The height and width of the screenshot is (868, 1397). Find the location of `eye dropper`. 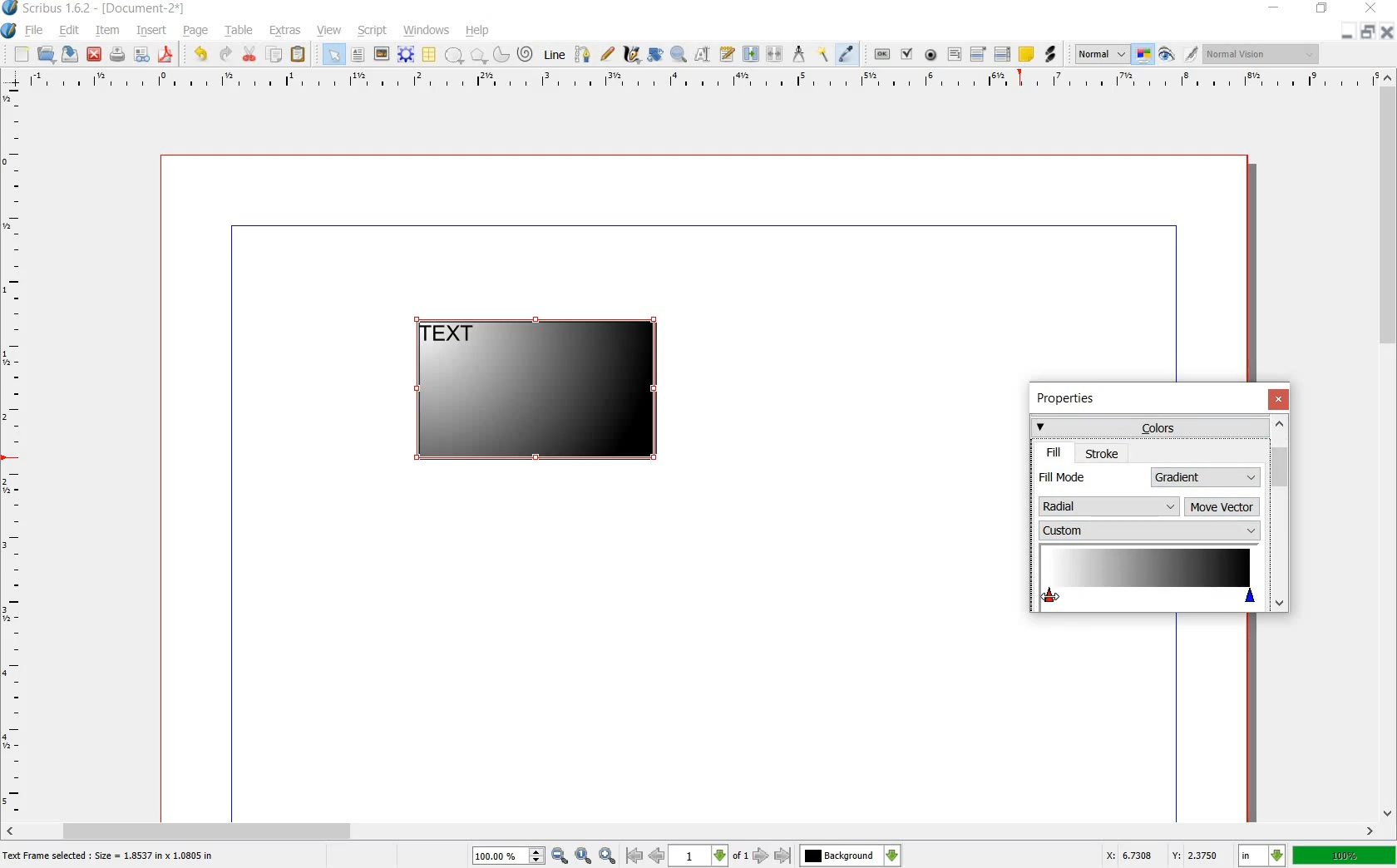

eye dropper is located at coordinates (847, 55).